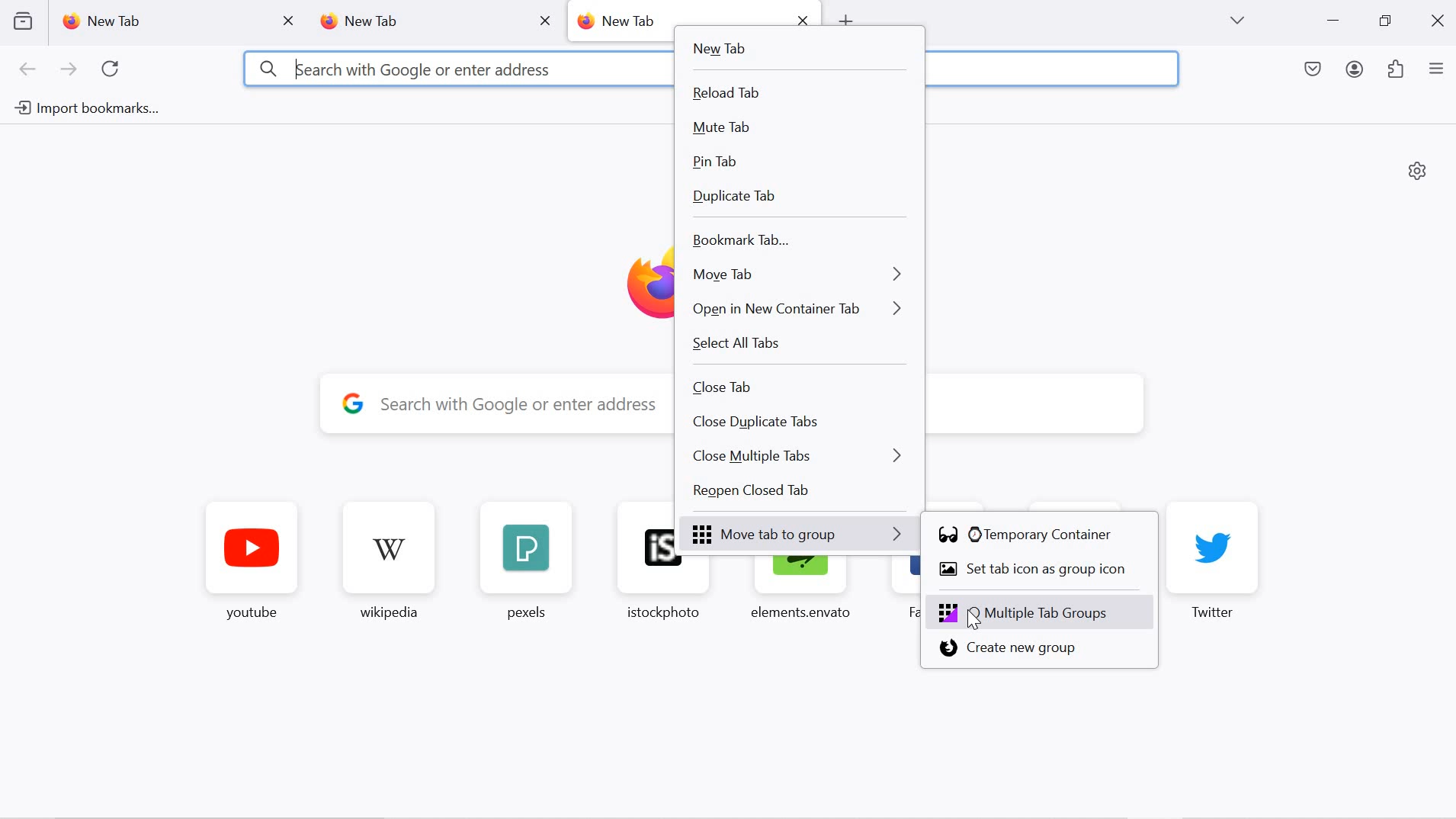 Image resolution: width=1456 pixels, height=819 pixels. Describe the element at coordinates (544, 20) in the screenshot. I see `close` at that location.